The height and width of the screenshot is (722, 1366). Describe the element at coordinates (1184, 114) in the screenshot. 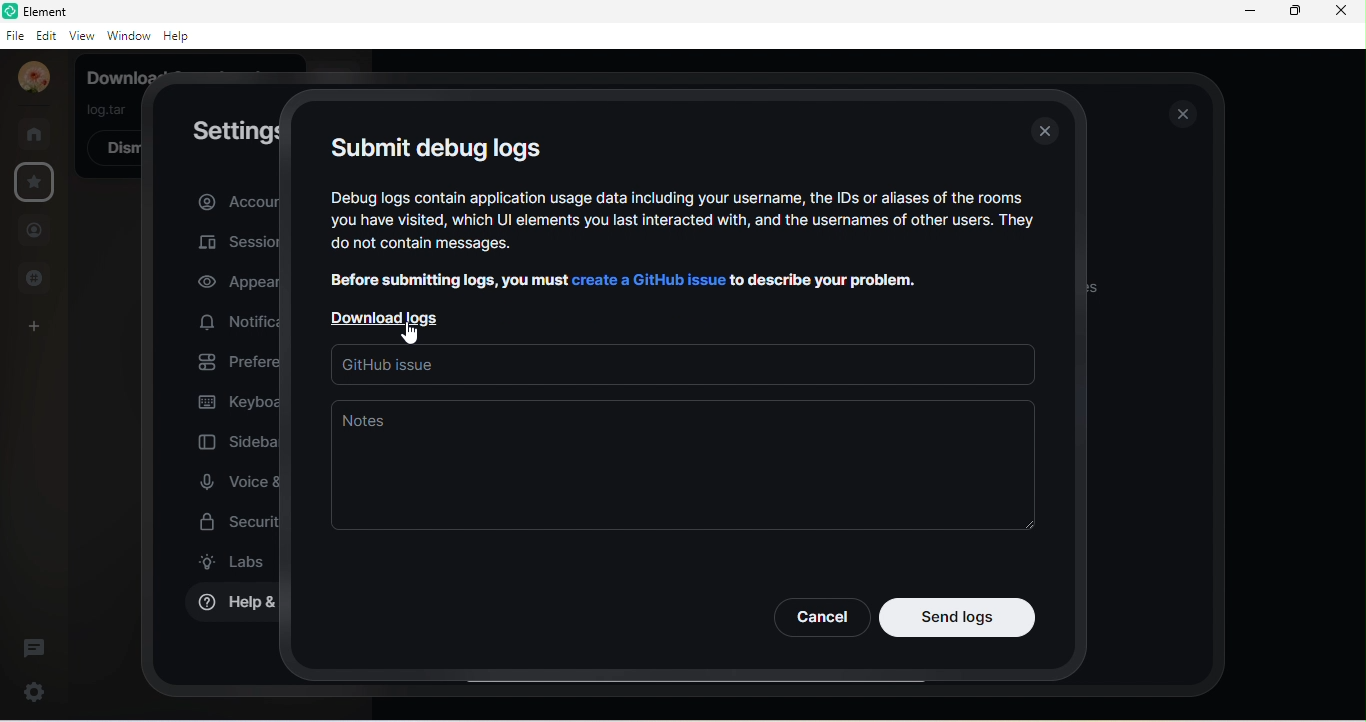

I see `close` at that location.